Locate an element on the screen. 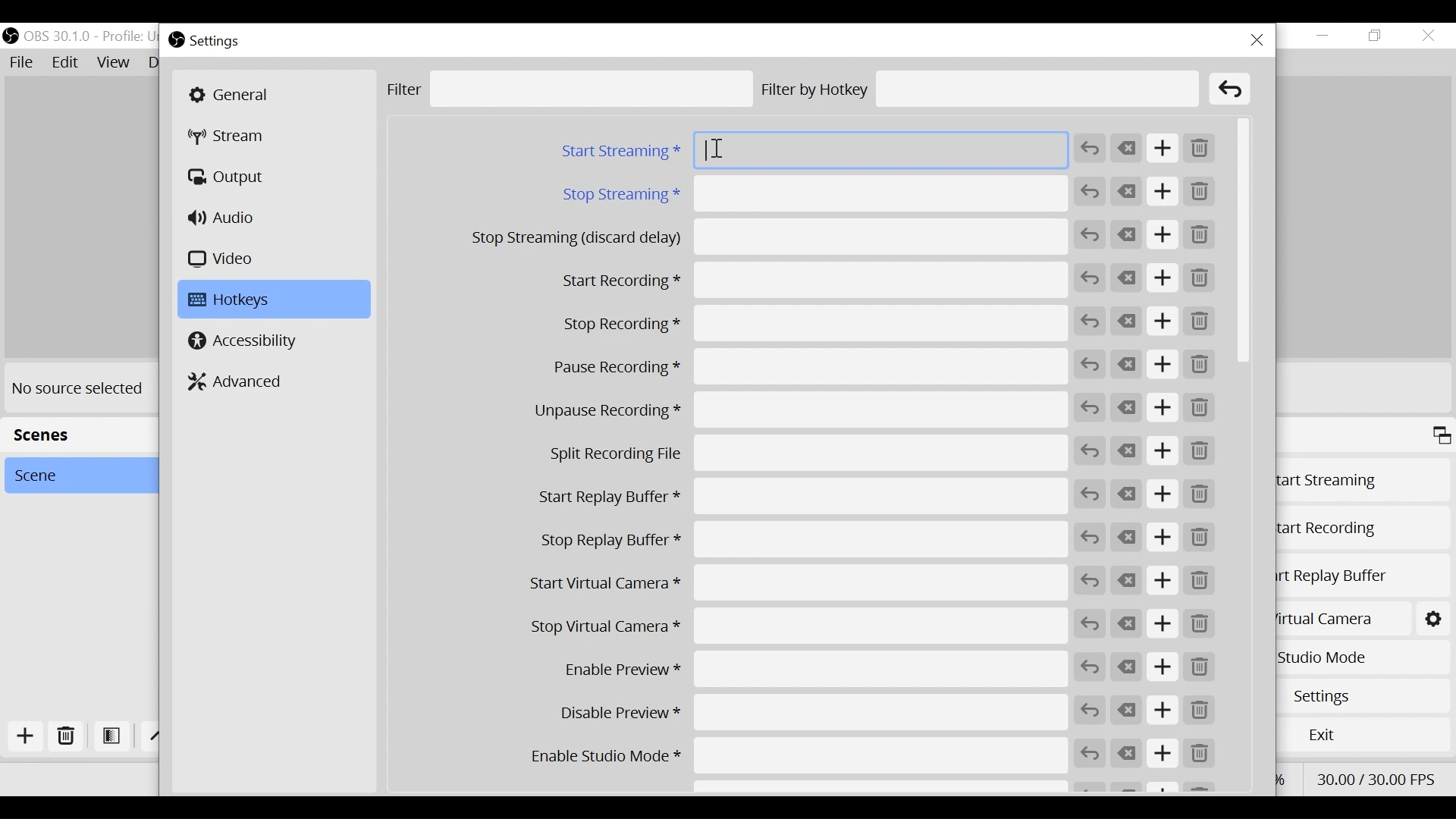  Open Filter Scene is located at coordinates (112, 736).